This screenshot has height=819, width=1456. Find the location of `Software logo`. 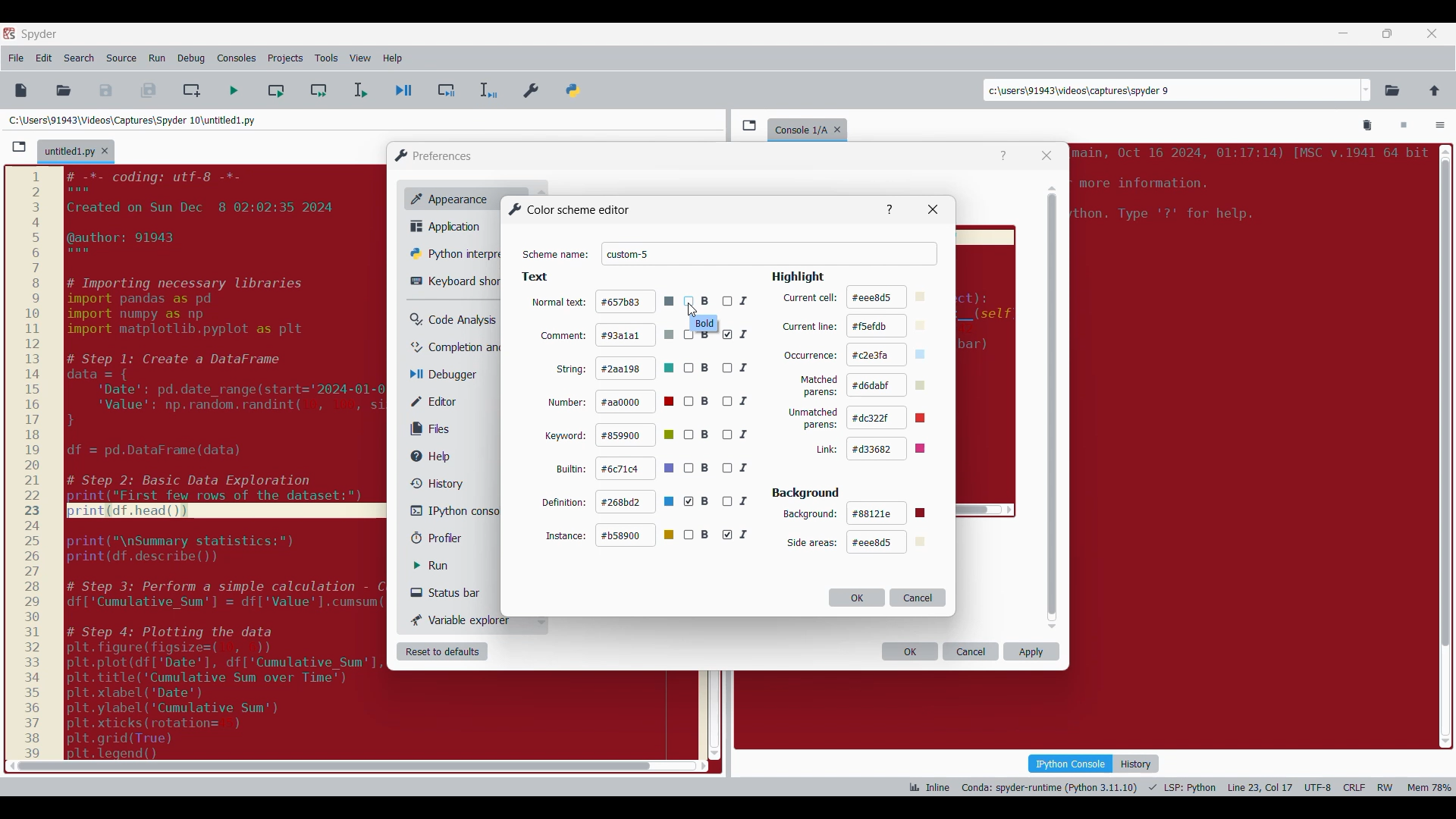

Software logo is located at coordinates (9, 33).